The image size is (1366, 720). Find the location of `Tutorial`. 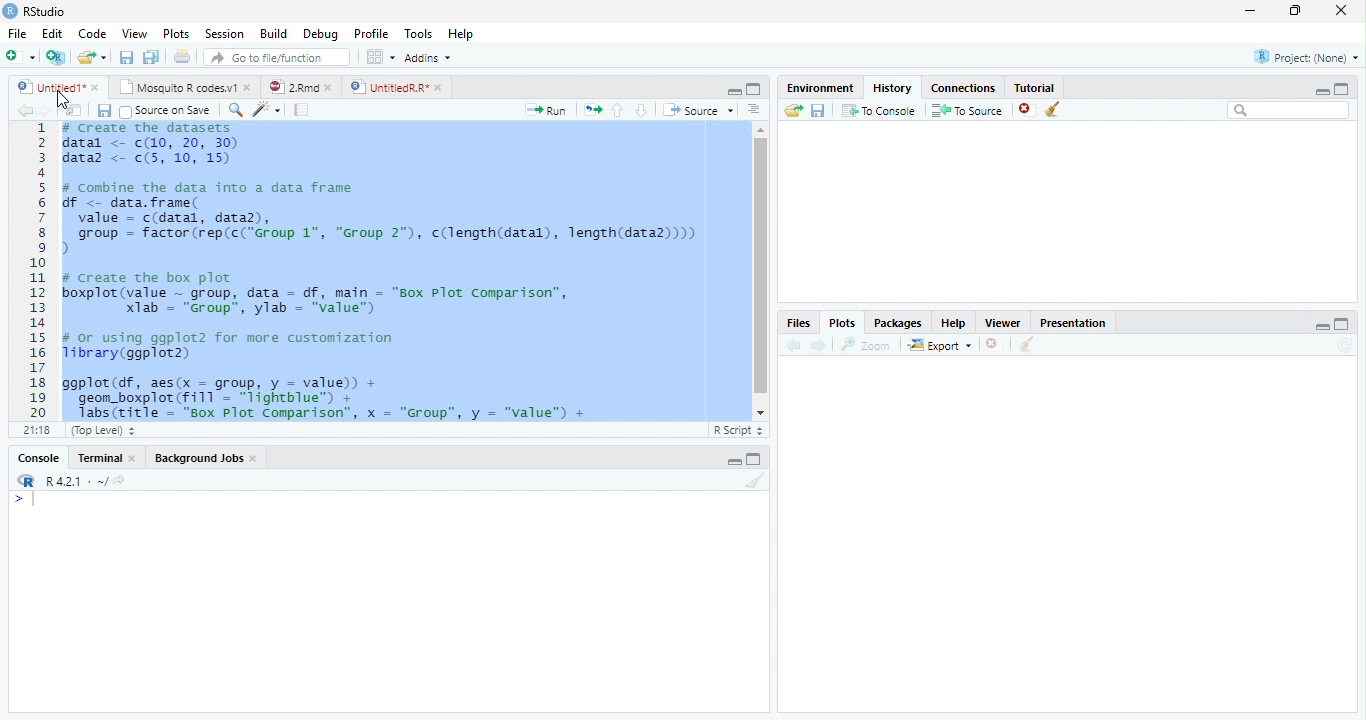

Tutorial is located at coordinates (1035, 88).